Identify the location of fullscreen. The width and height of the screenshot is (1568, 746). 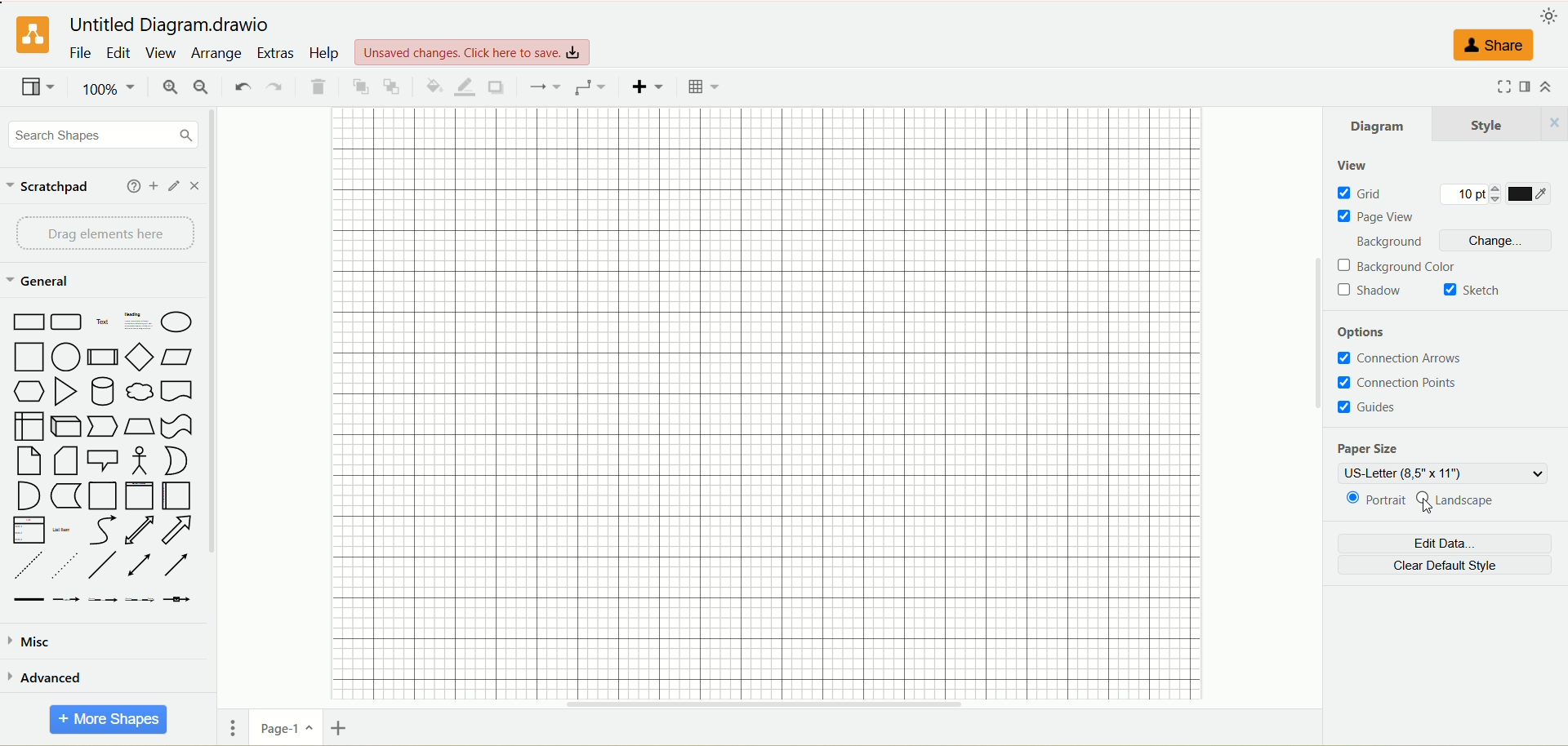
(1499, 87).